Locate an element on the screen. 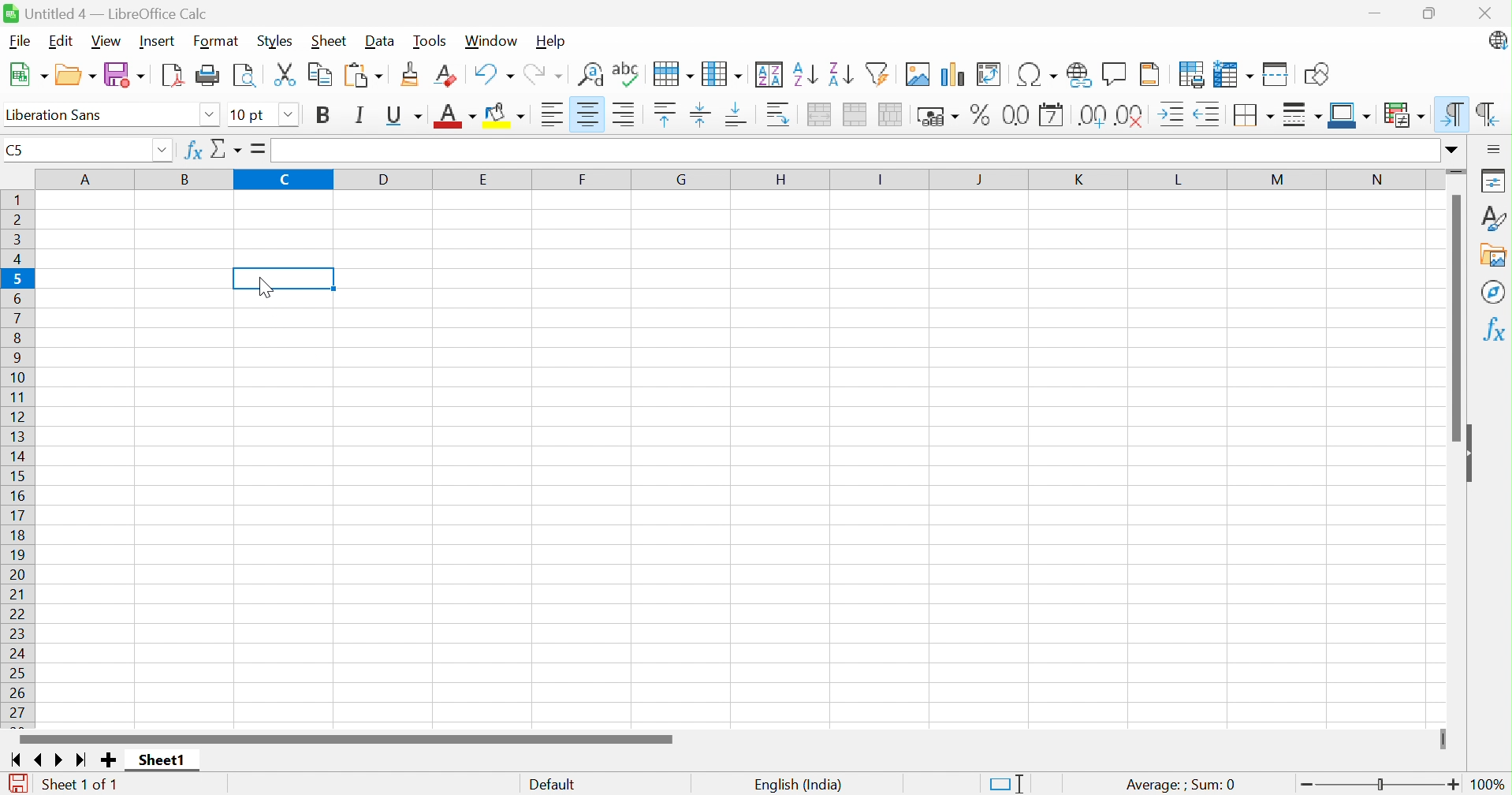 This screenshot has height=795, width=1512. Cut is located at coordinates (287, 75).